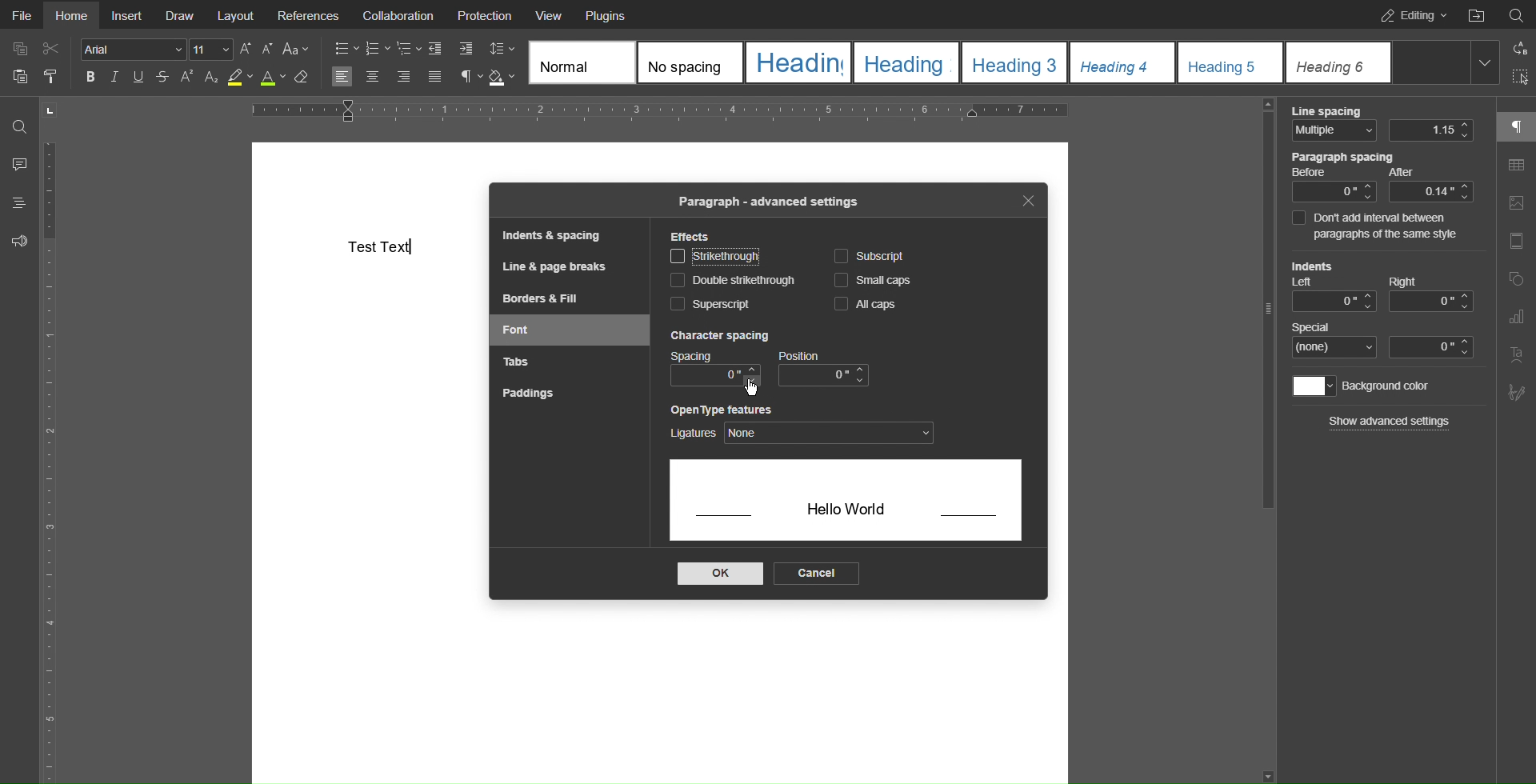  Describe the element at coordinates (294, 49) in the screenshot. I see `Text Cases` at that location.